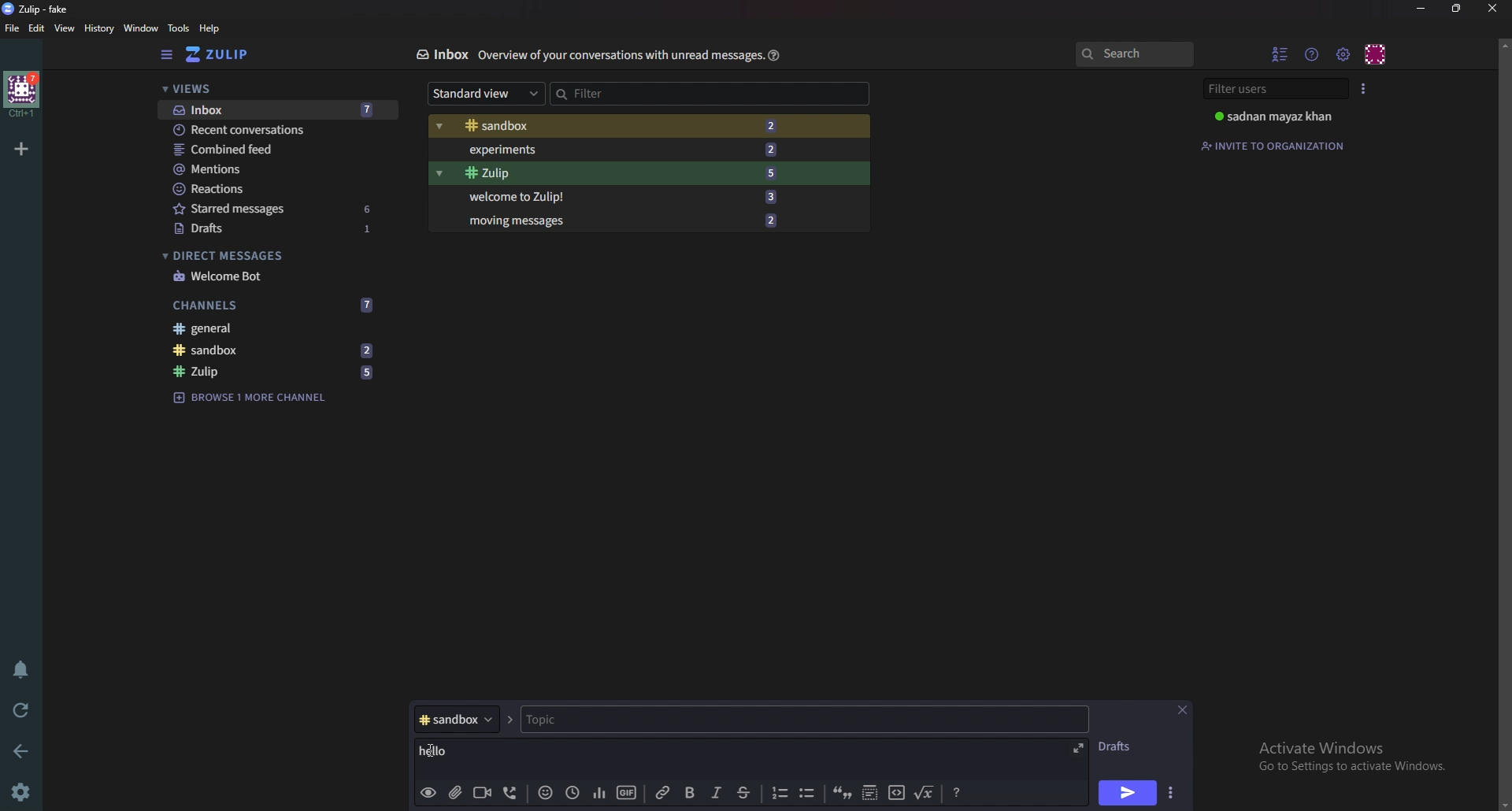 This screenshot has height=811, width=1512. Describe the element at coordinates (469, 751) in the screenshot. I see `hello` at that location.